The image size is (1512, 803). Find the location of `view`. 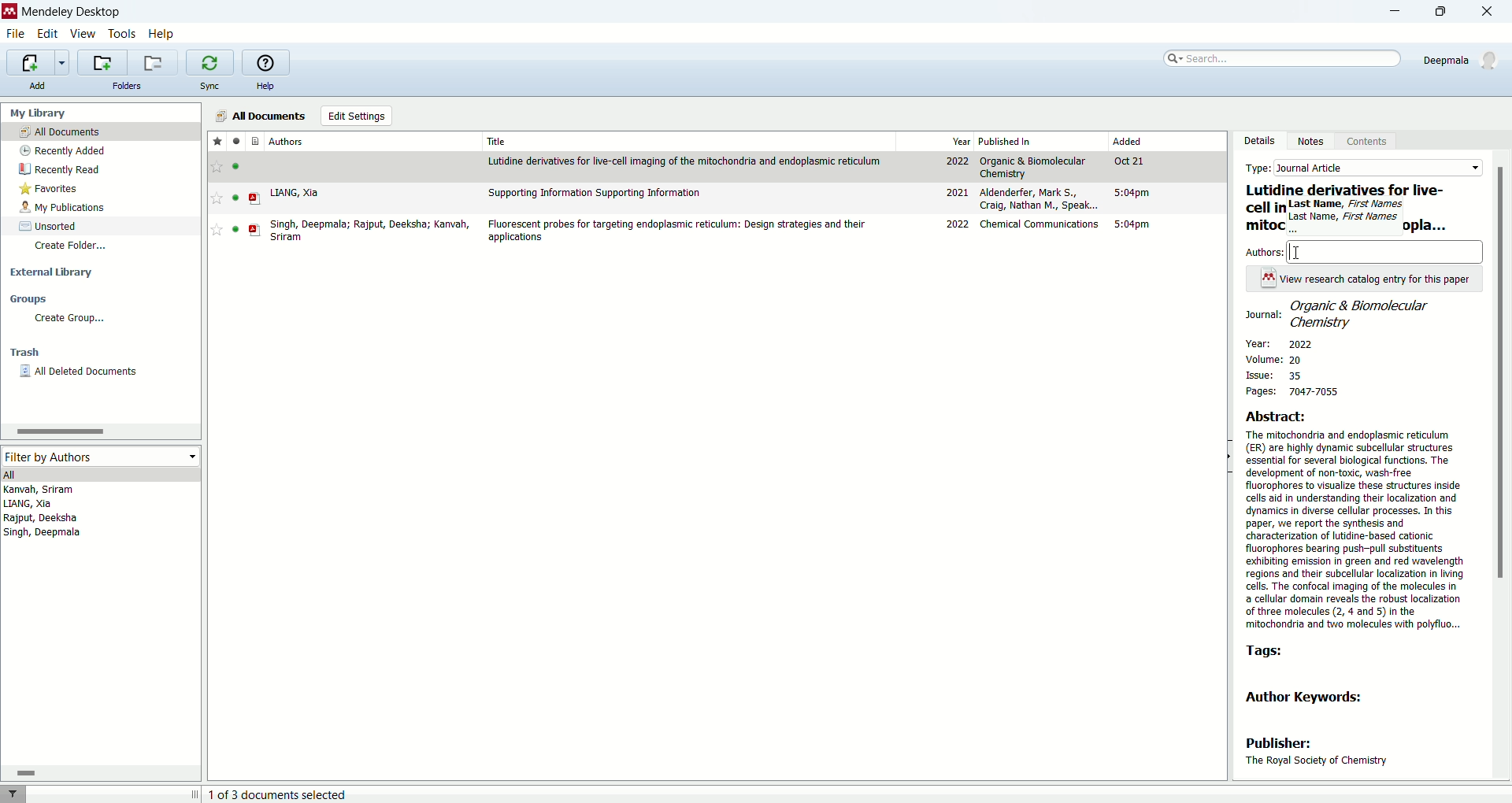

view is located at coordinates (84, 35).